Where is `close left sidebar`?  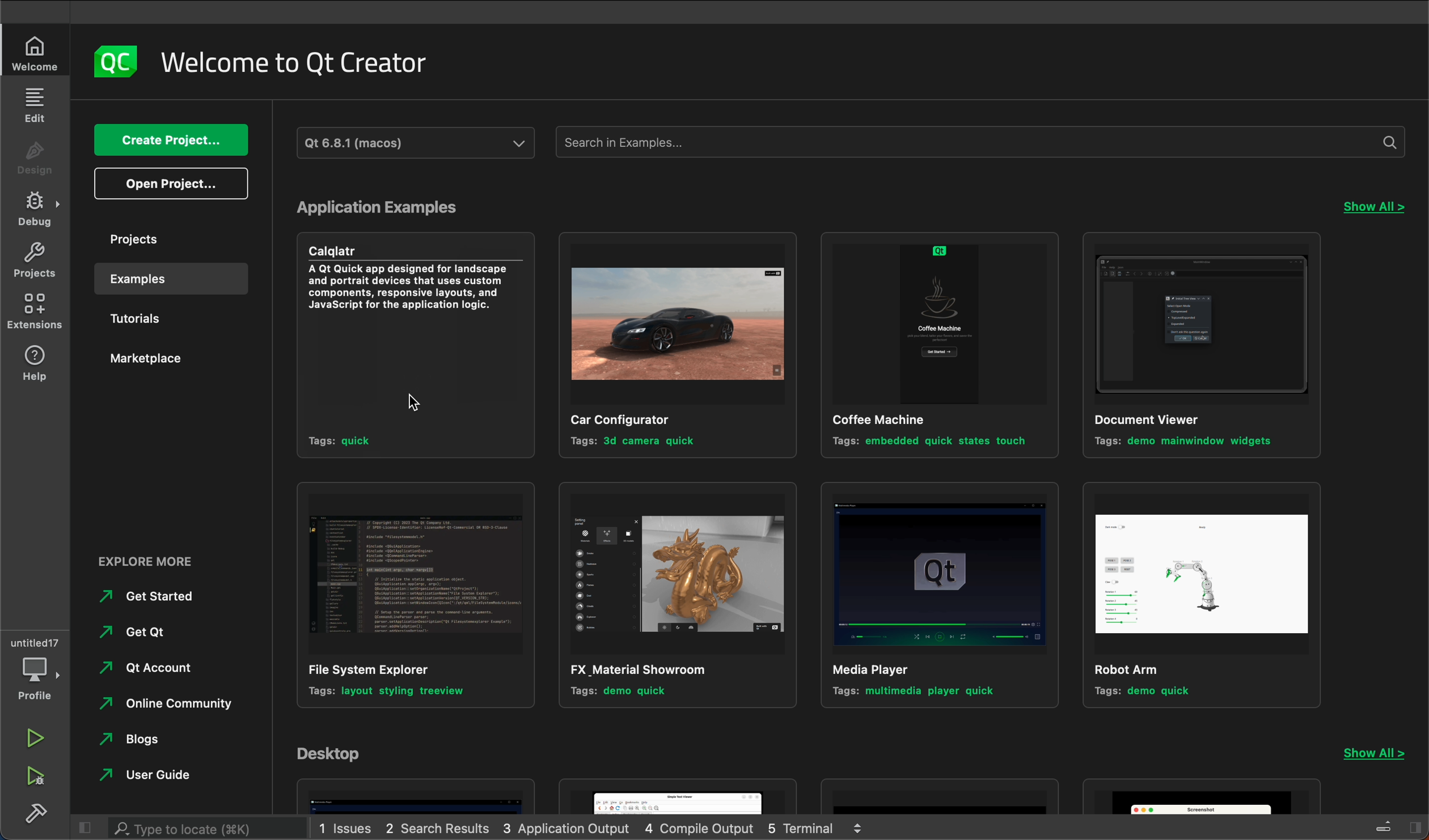
close left sidebar is located at coordinates (87, 826).